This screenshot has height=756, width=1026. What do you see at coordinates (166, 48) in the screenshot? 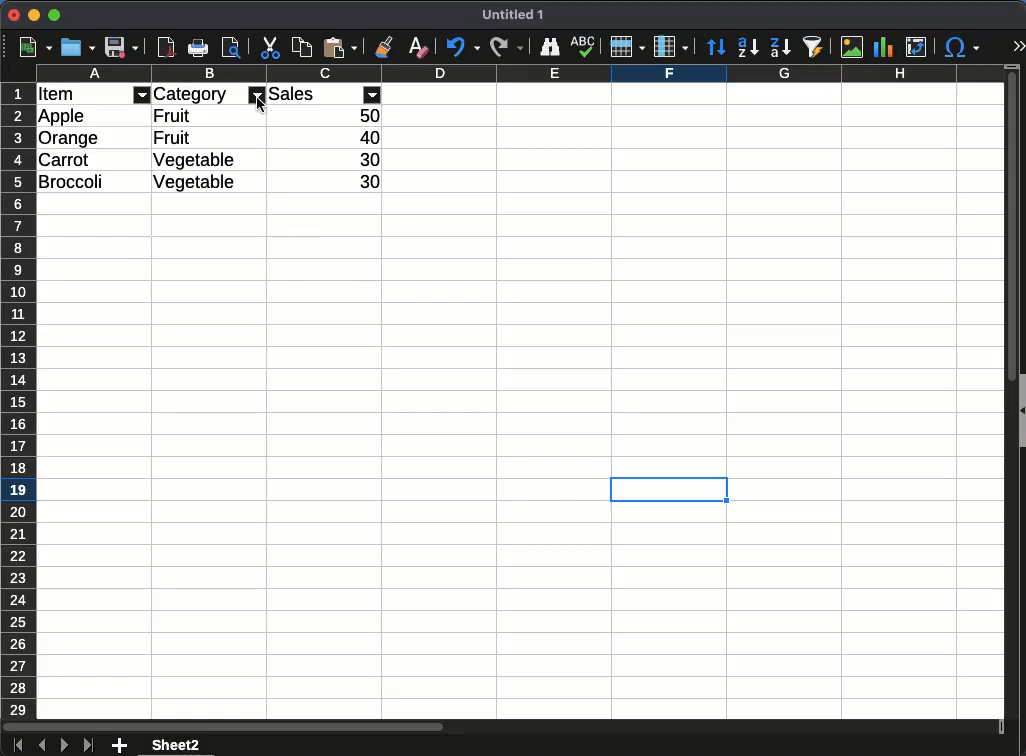
I see `pdf reader` at bounding box center [166, 48].